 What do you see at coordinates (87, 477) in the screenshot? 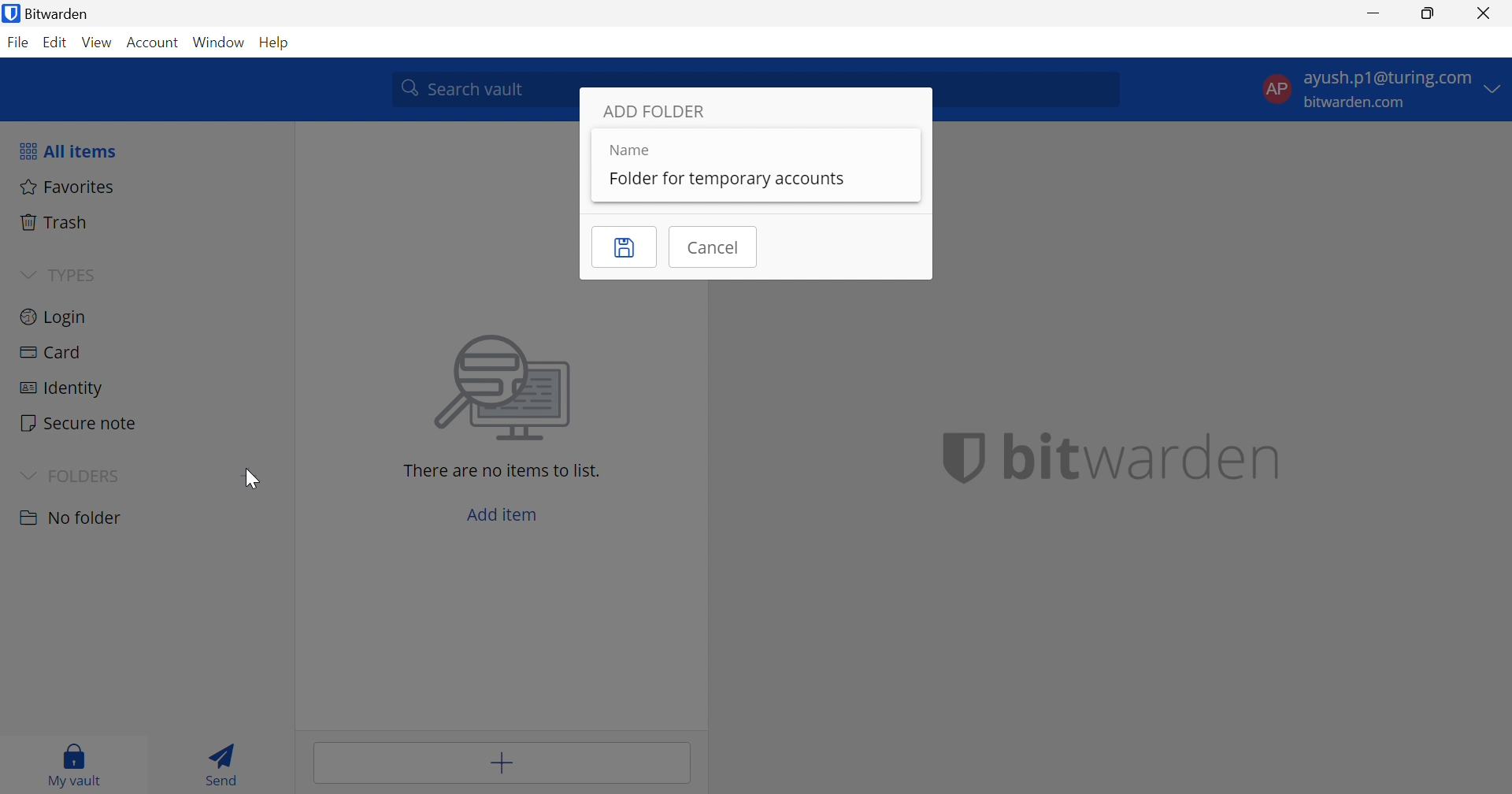
I see `FOLDERS` at bounding box center [87, 477].